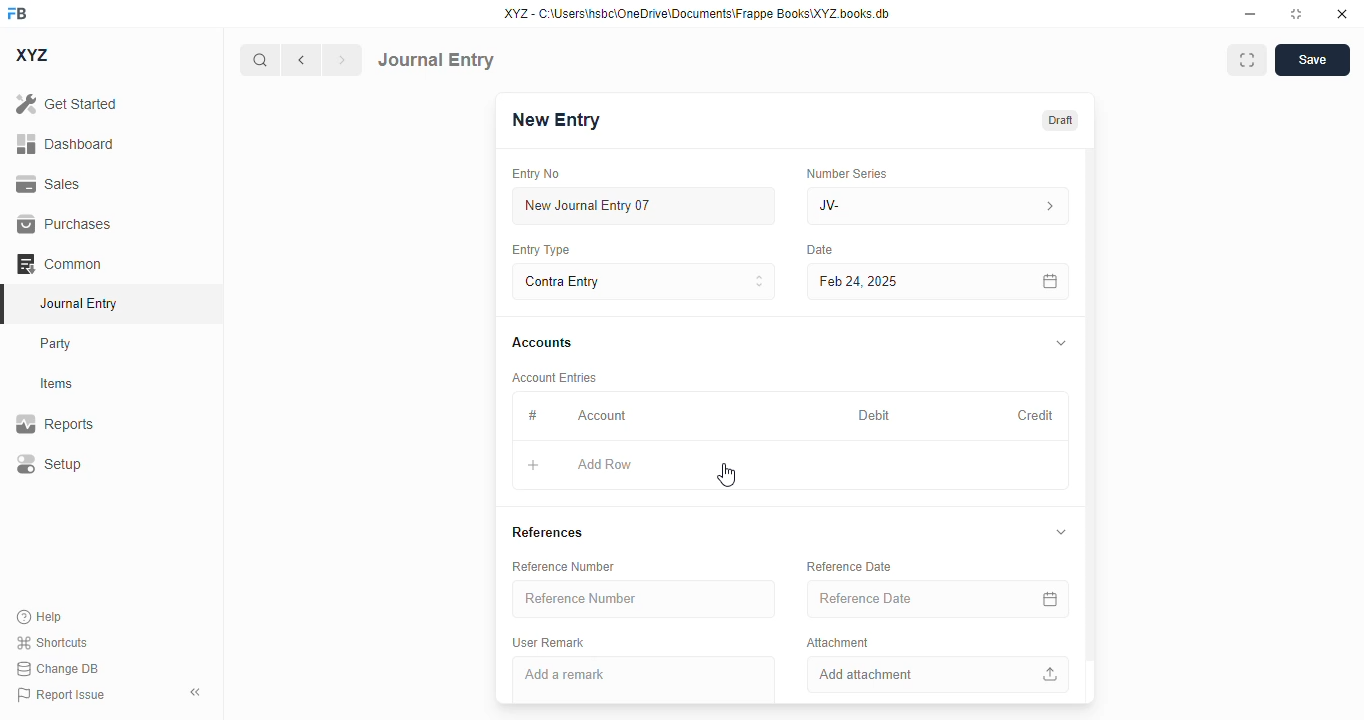 This screenshot has width=1364, height=720. Describe the element at coordinates (602, 416) in the screenshot. I see `account` at that location.